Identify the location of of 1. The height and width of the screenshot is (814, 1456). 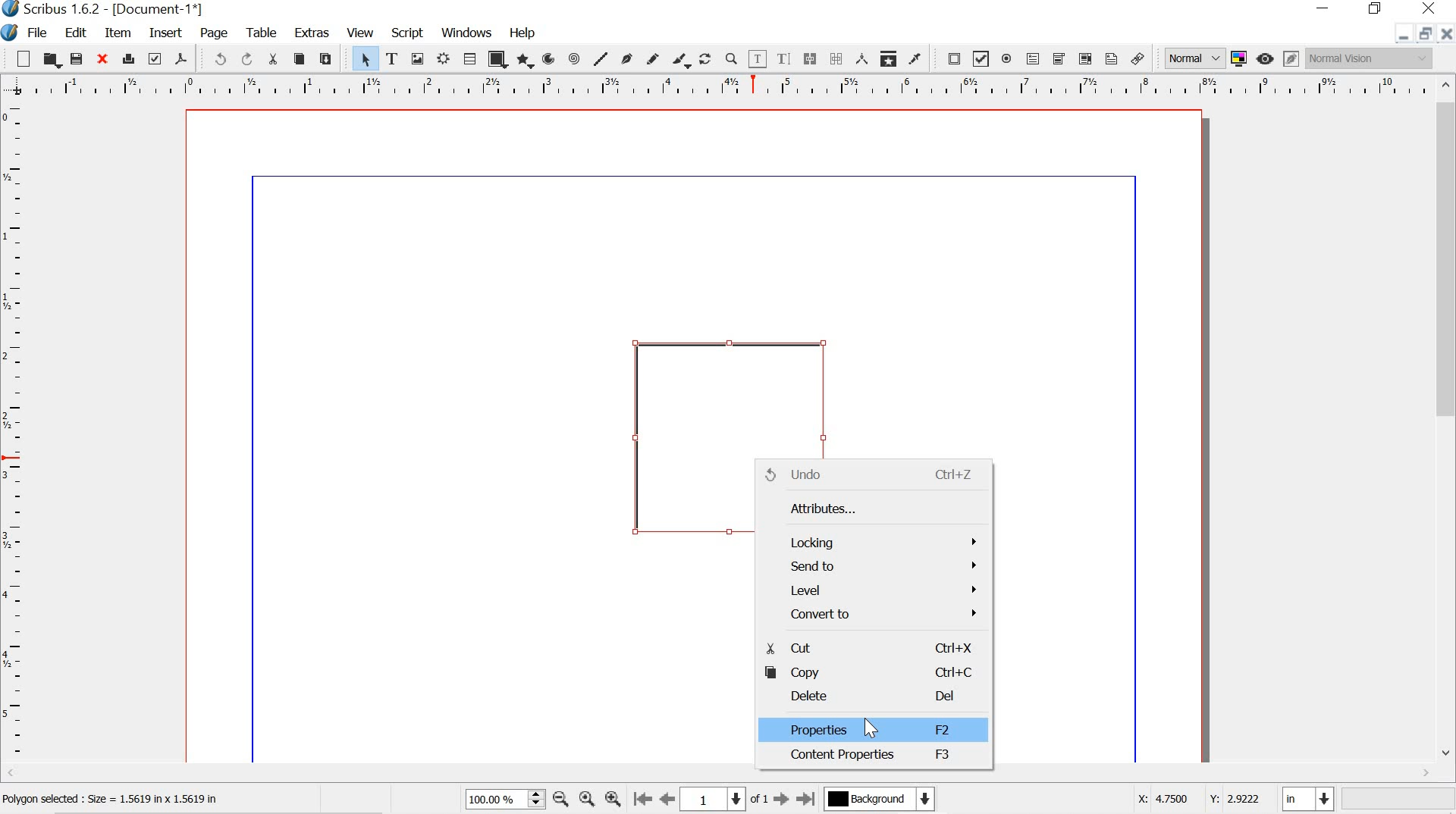
(759, 800).